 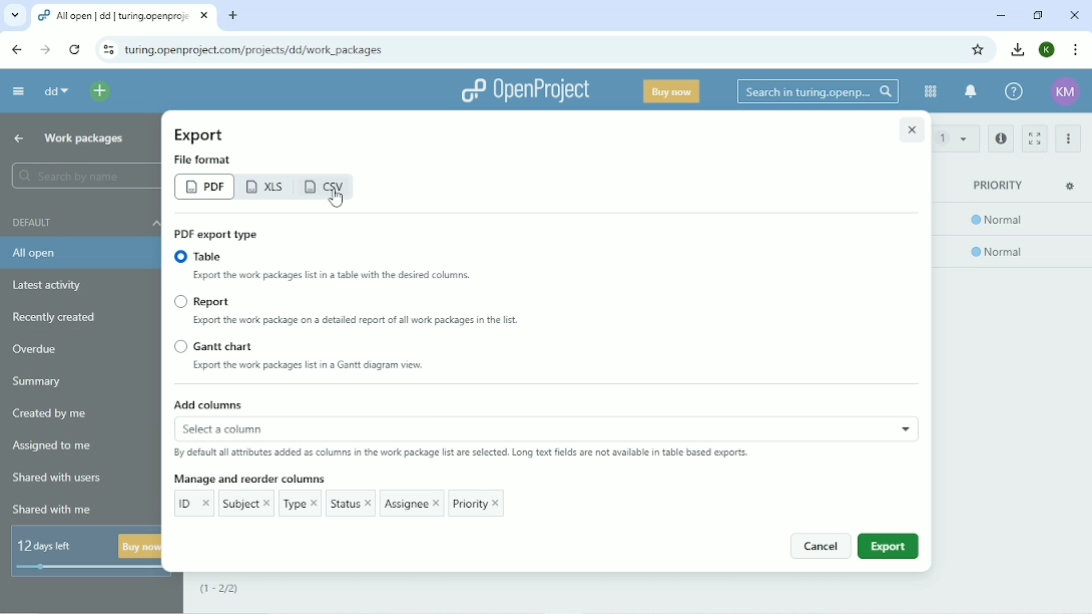 What do you see at coordinates (82, 221) in the screenshot?
I see `Default` at bounding box center [82, 221].